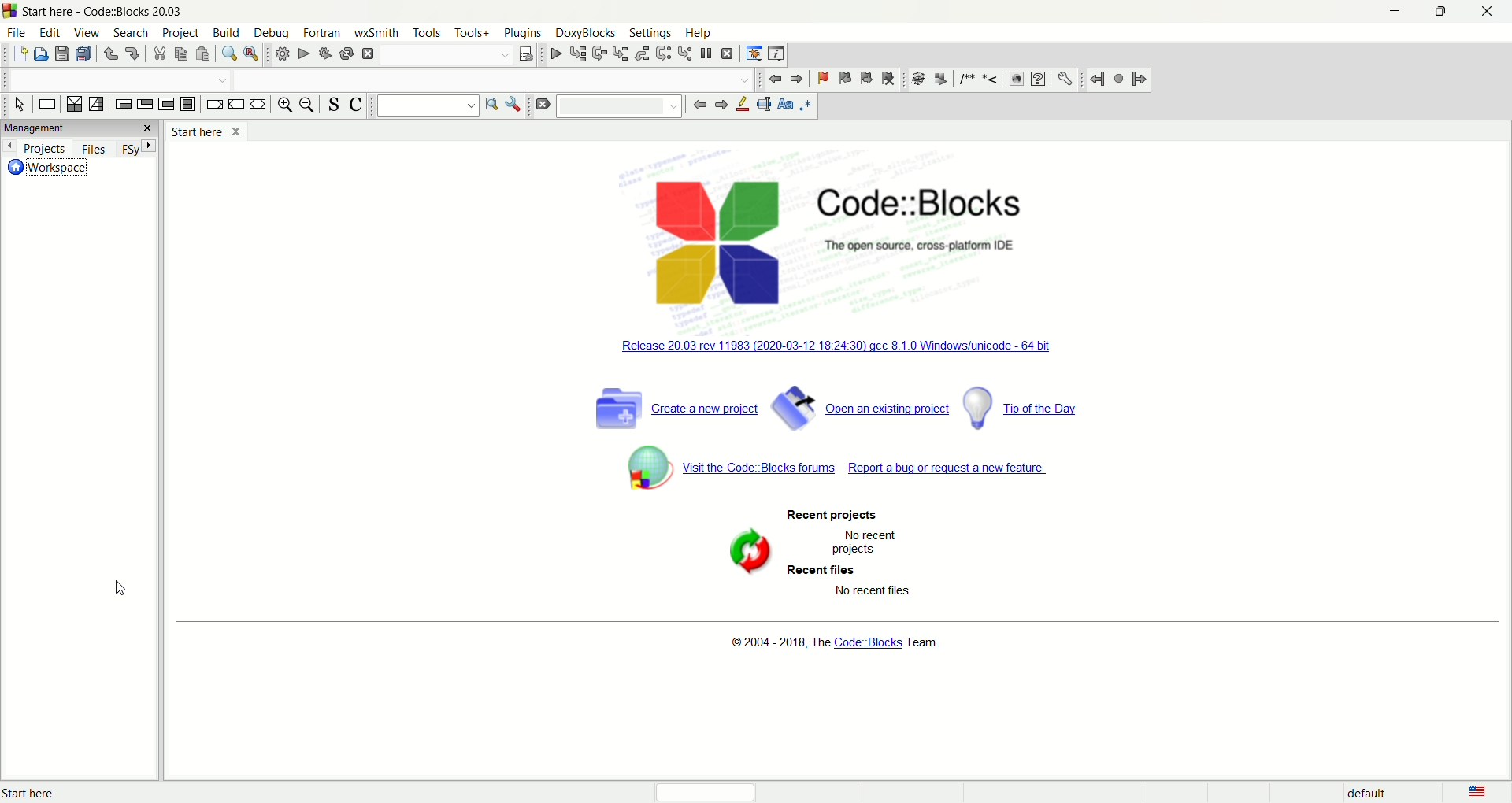 This screenshot has width=1512, height=803. I want to click on run, so click(305, 54).